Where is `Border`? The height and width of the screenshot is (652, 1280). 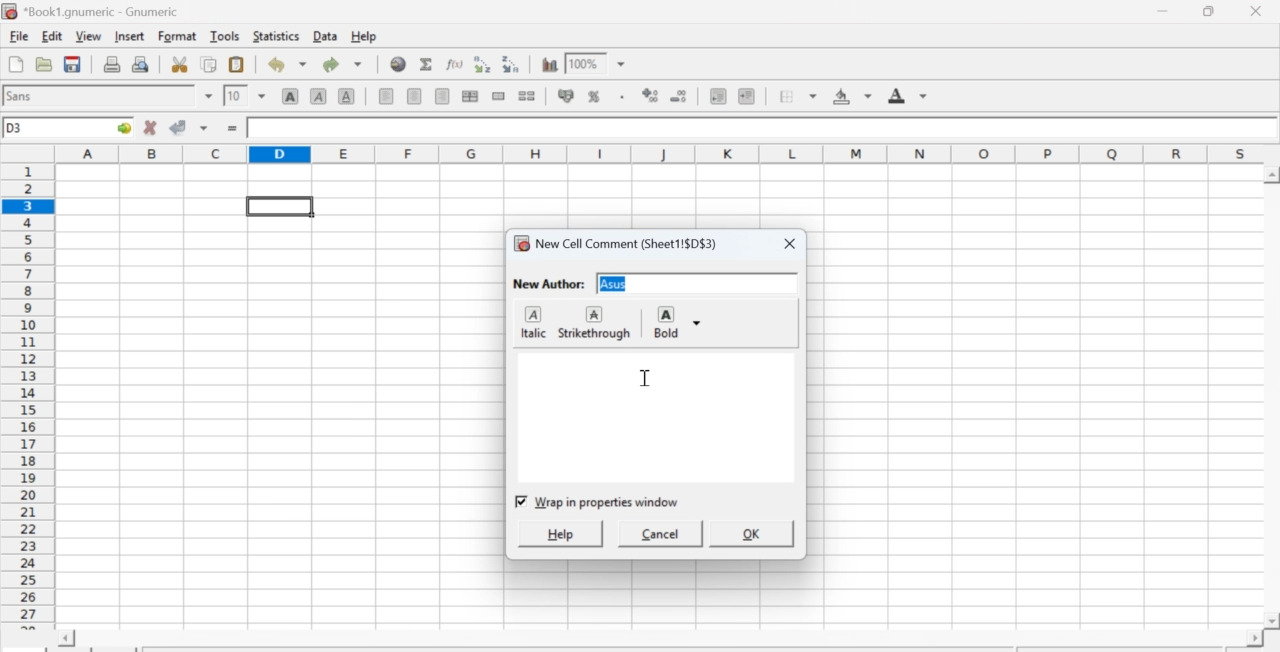 Border is located at coordinates (798, 97).